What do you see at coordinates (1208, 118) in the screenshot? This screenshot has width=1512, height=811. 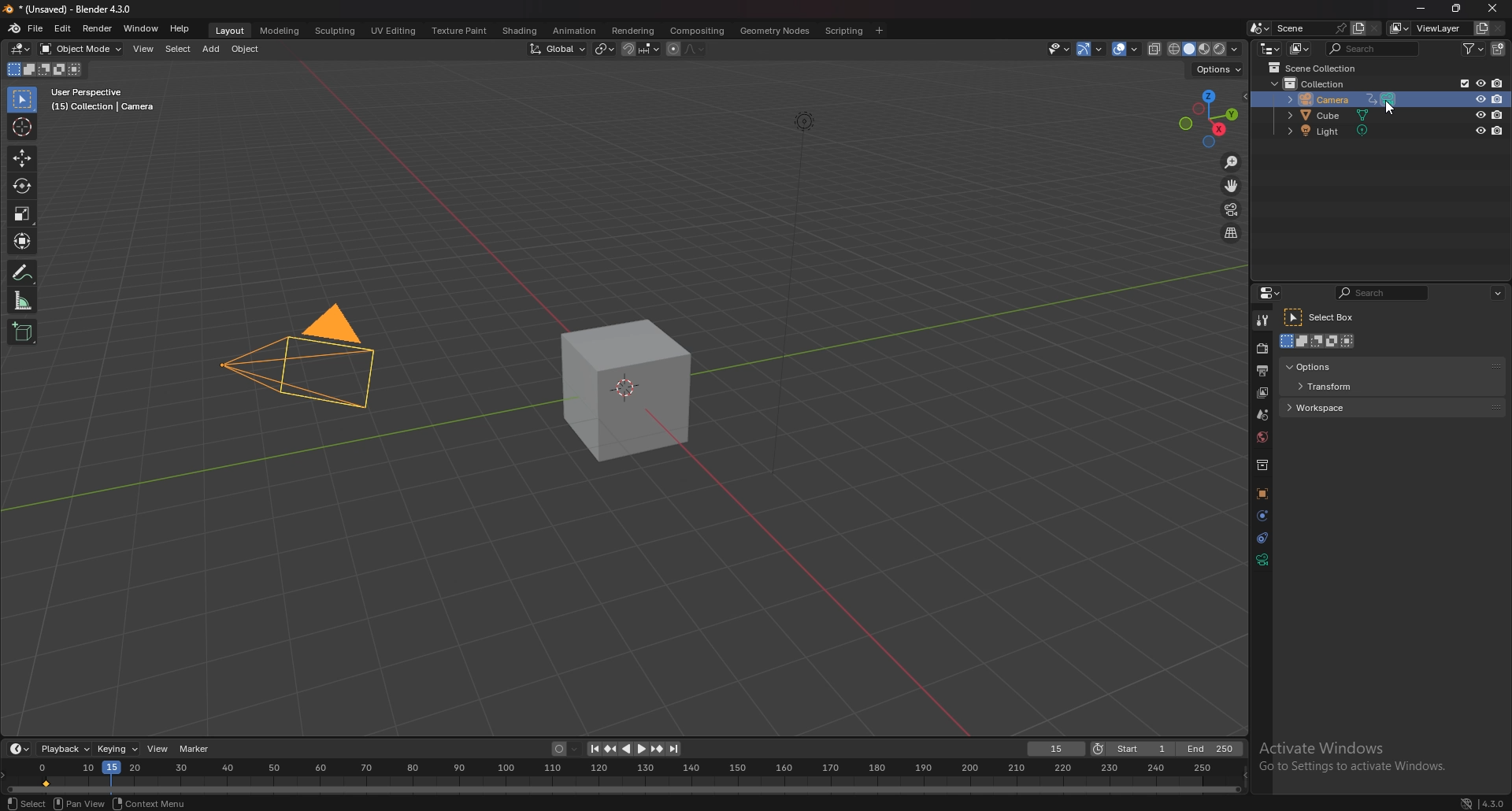 I see `preset viewpoint` at bounding box center [1208, 118].